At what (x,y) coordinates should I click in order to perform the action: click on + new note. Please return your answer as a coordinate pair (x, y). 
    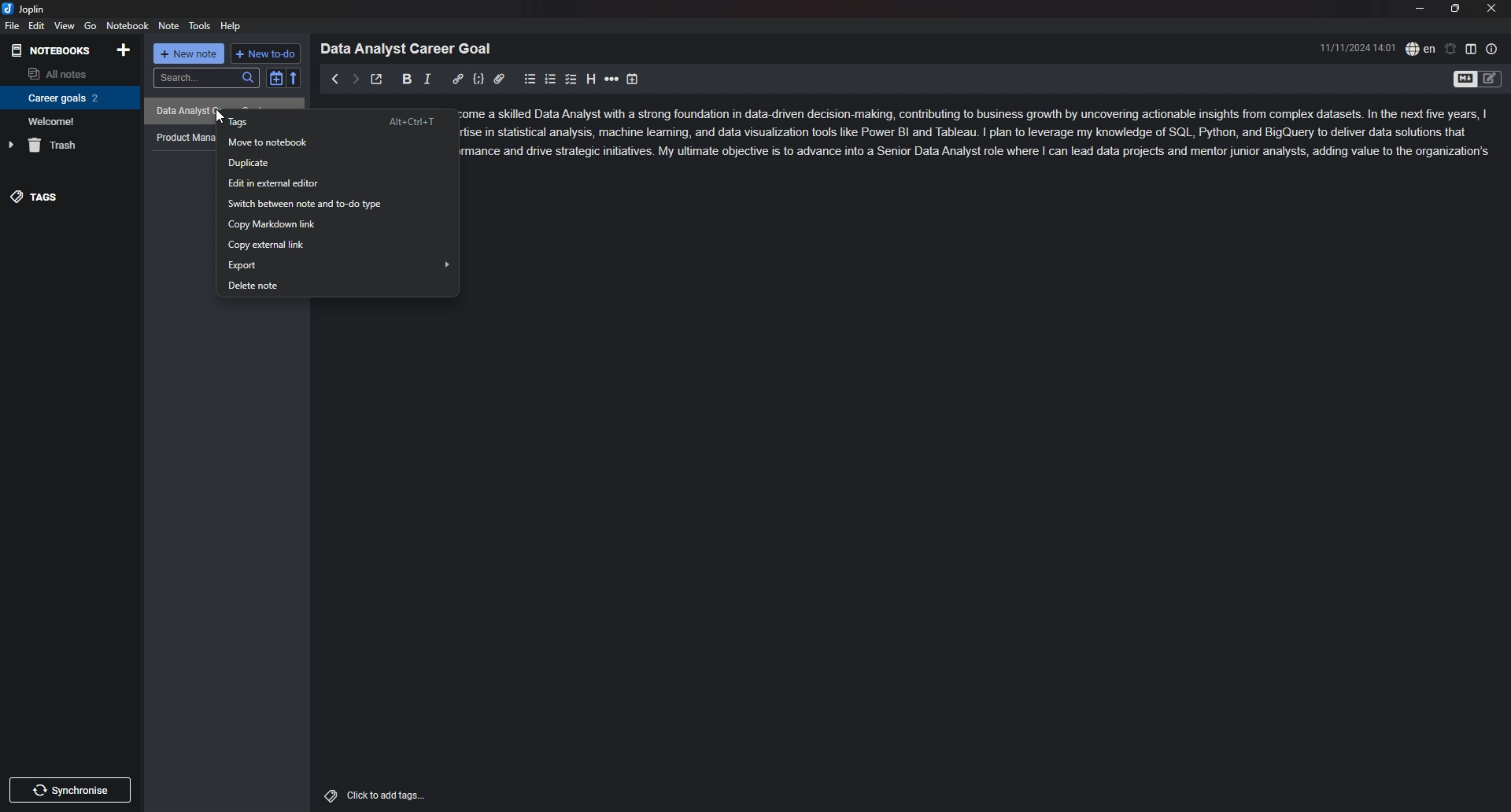
    Looking at the image, I should click on (189, 54).